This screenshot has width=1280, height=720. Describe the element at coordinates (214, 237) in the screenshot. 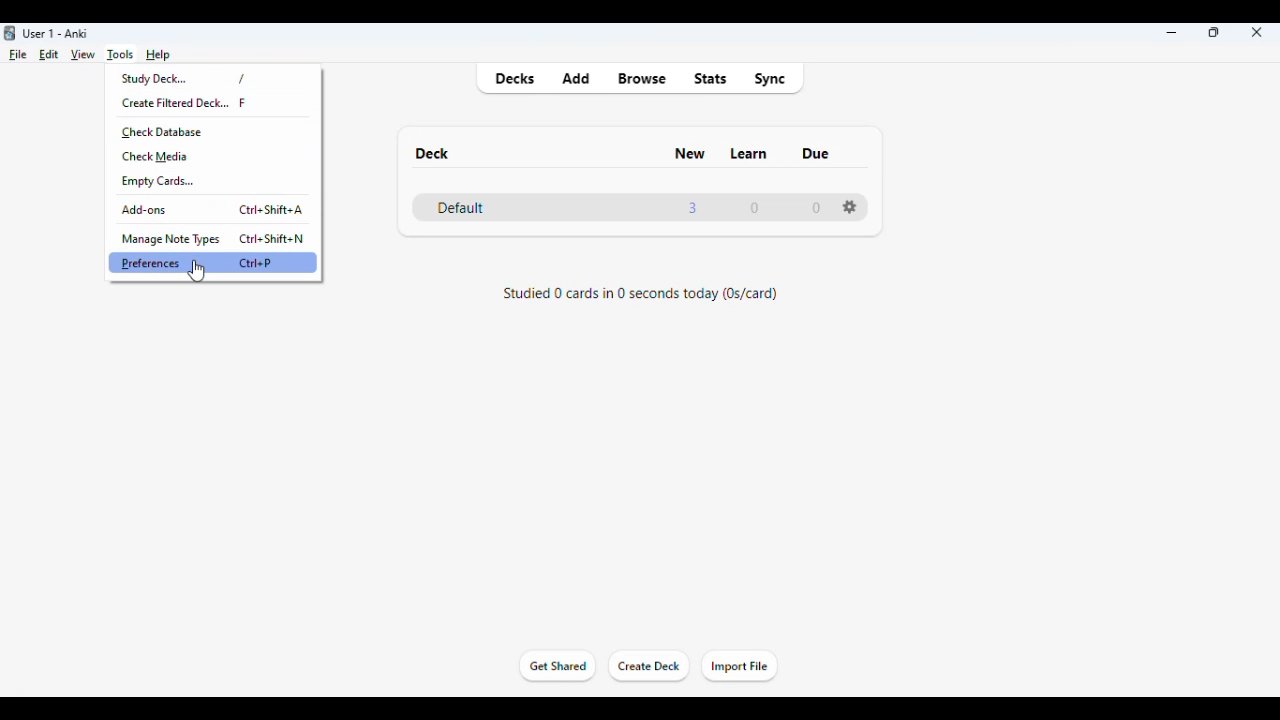

I see `manage note types Ctrl+Shift+N` at that location.